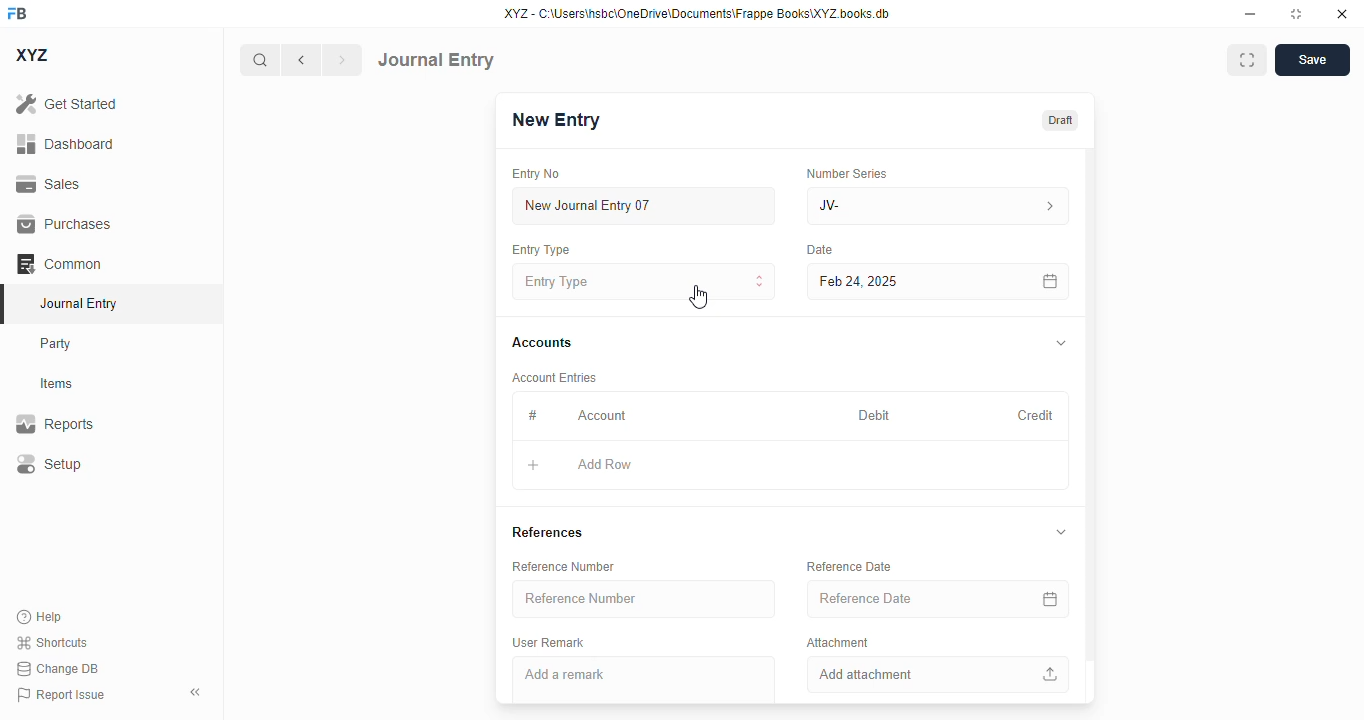  Describe the element at coordinates (937, 675) in the screenshot. I see `add attachment` at that location.